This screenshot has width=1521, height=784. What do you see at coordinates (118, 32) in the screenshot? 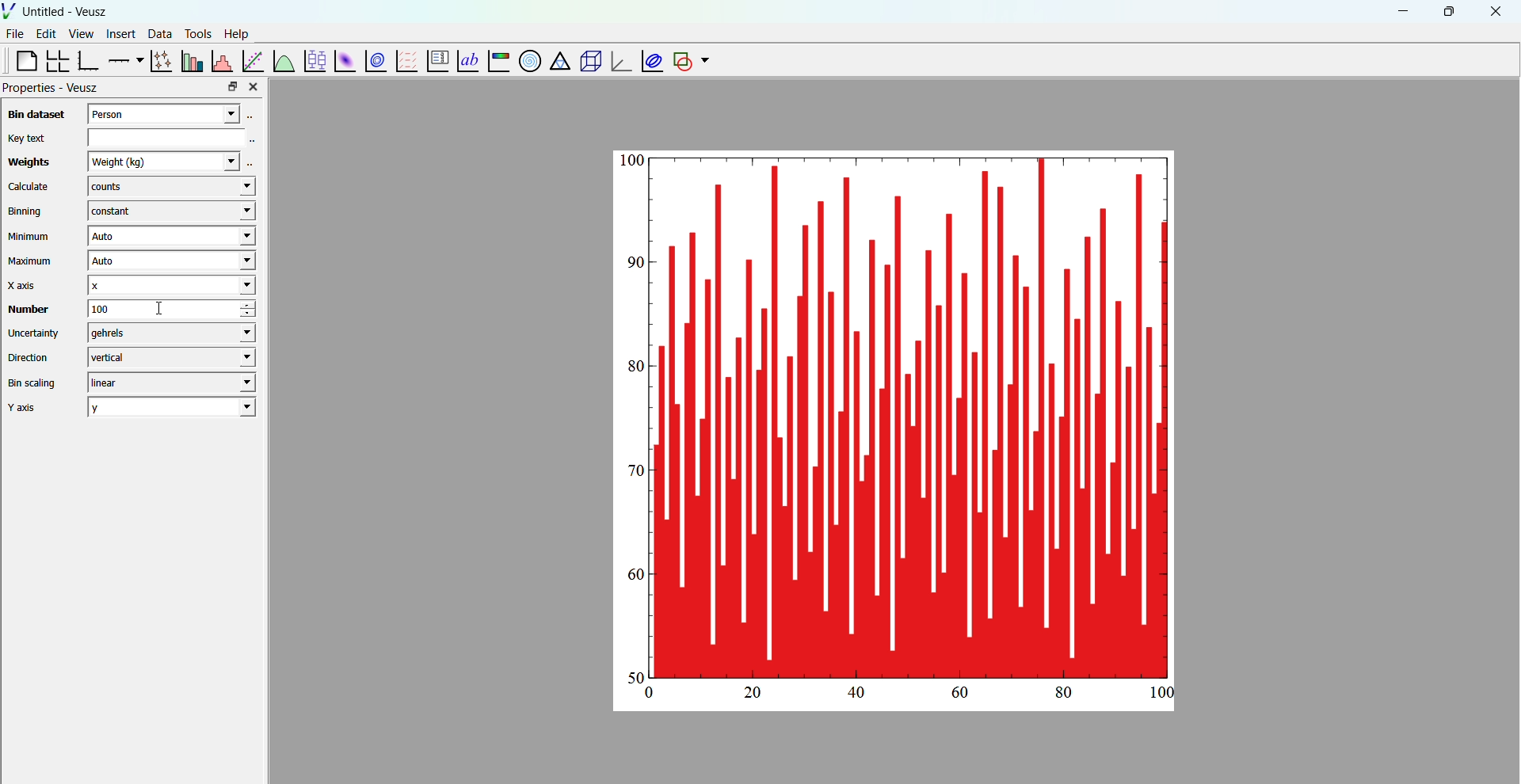
I see `insert` at bounding box center [118, 32].